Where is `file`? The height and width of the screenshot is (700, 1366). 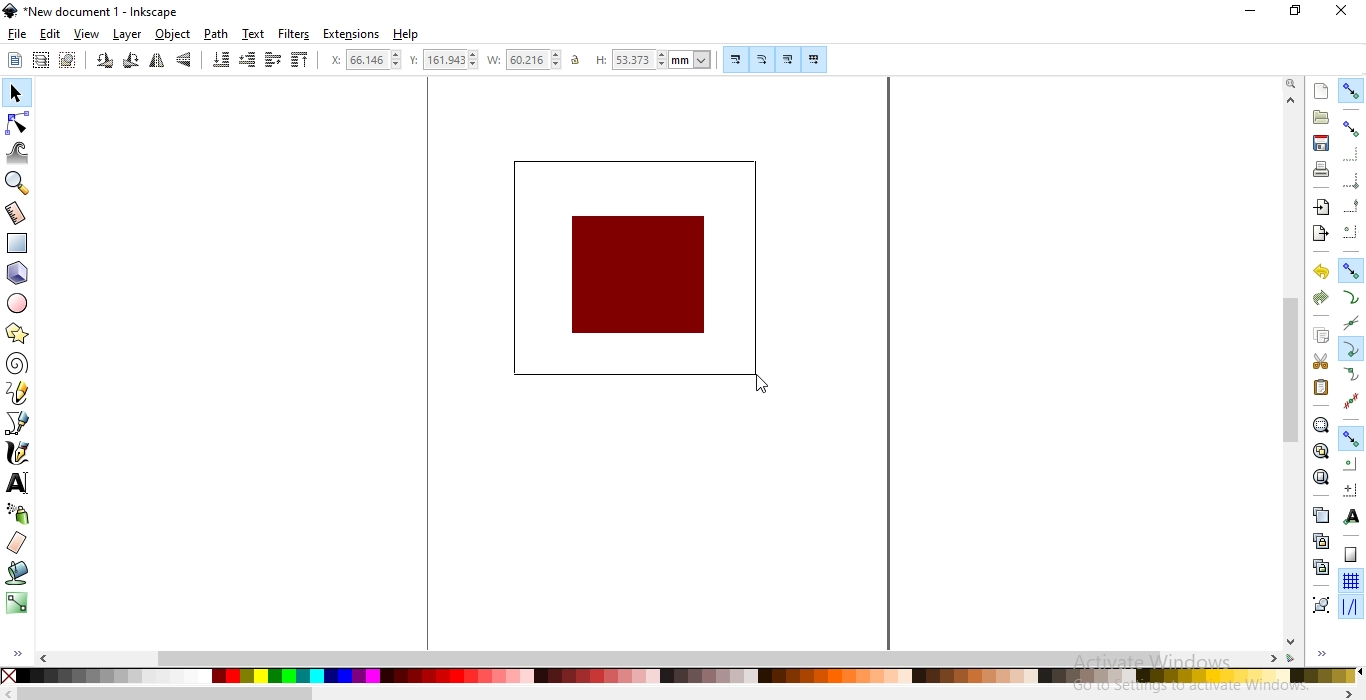
file is located at coordinates (18, 35).